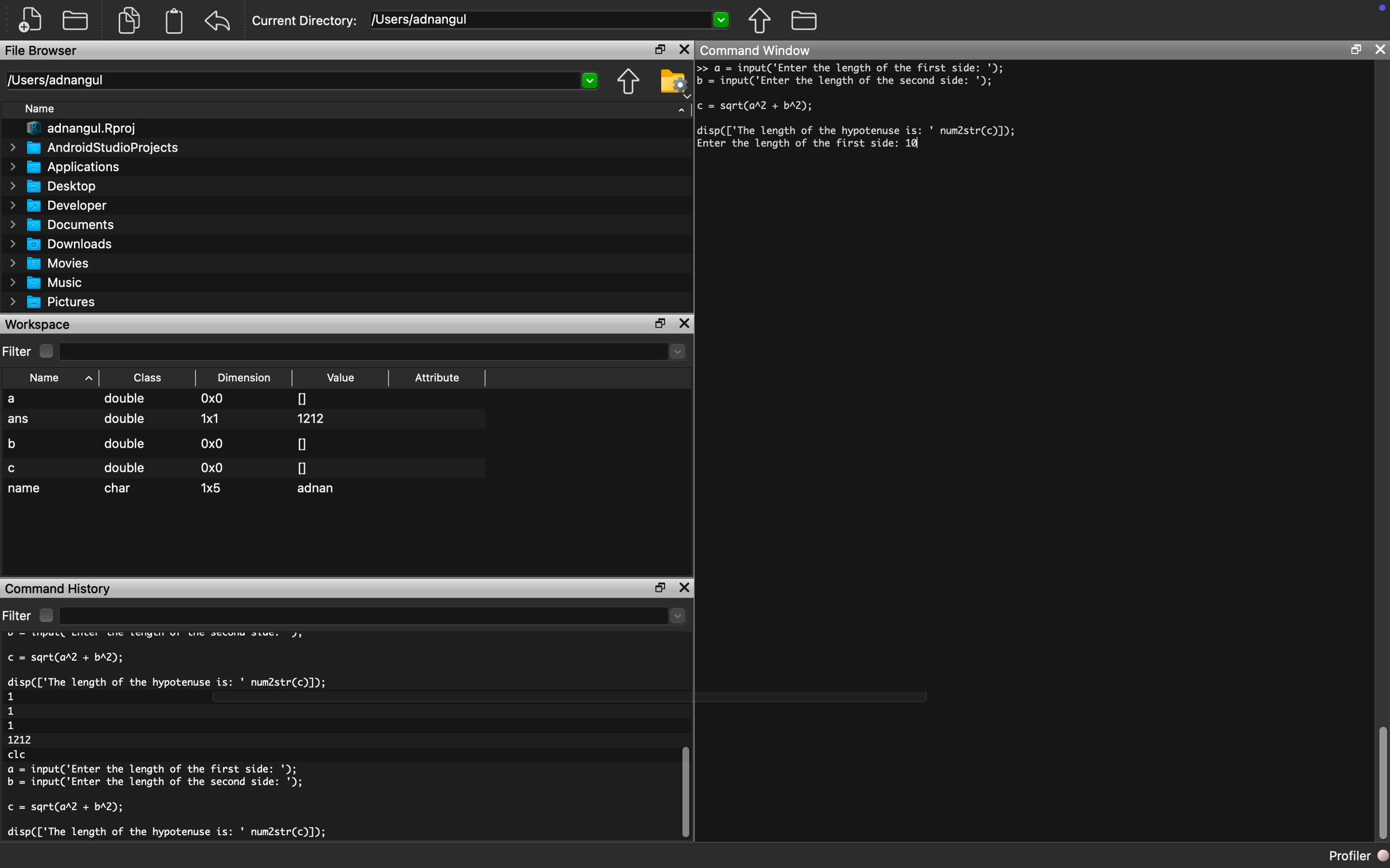 This screenshot has height=868, width=1390. I want to click on close, so click(684, 50).